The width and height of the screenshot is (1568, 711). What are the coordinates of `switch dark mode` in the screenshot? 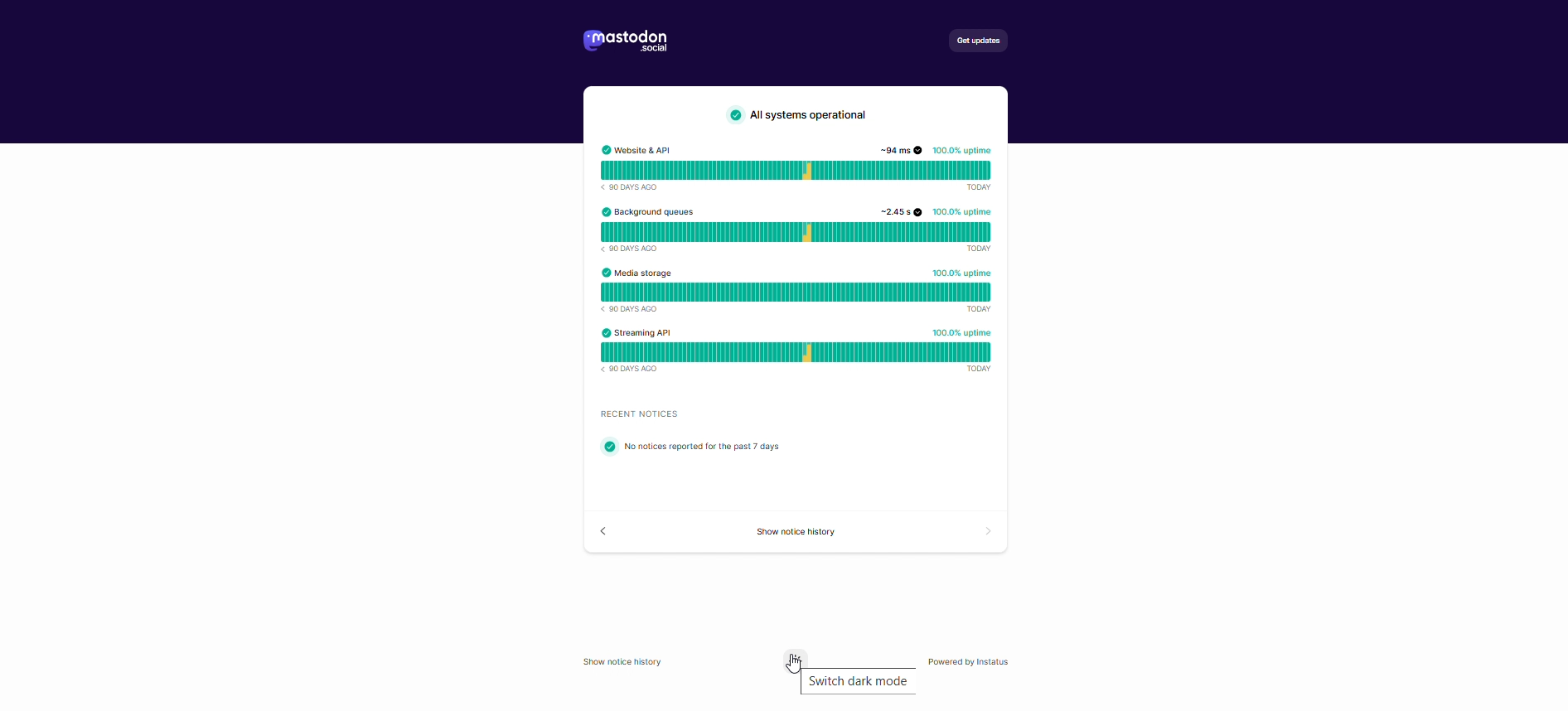 It's located at (859, 682).